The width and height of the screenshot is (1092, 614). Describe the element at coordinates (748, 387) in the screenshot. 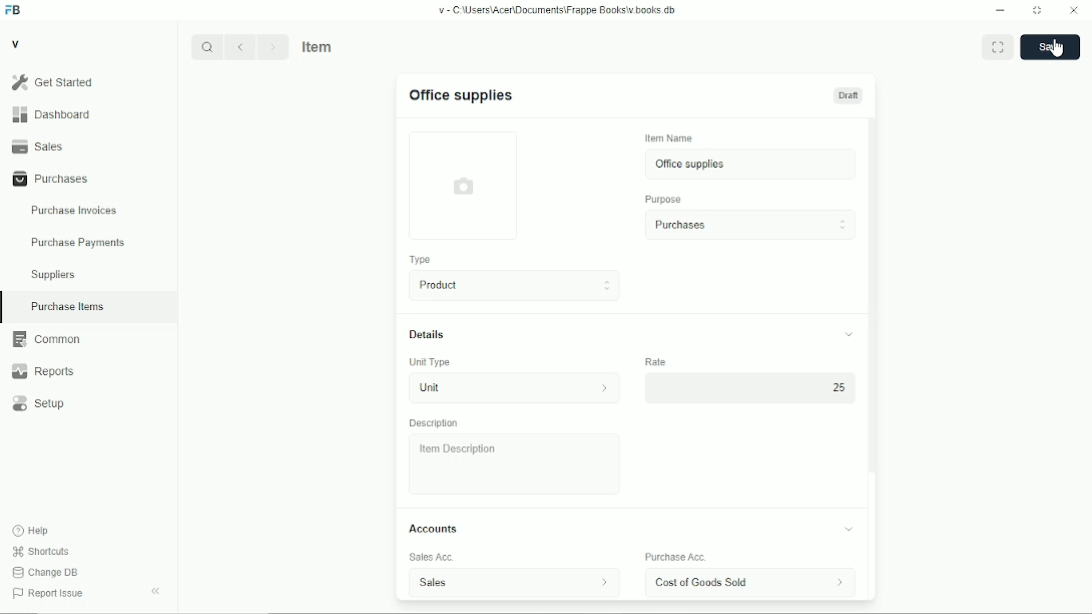

I see `25` at that location.